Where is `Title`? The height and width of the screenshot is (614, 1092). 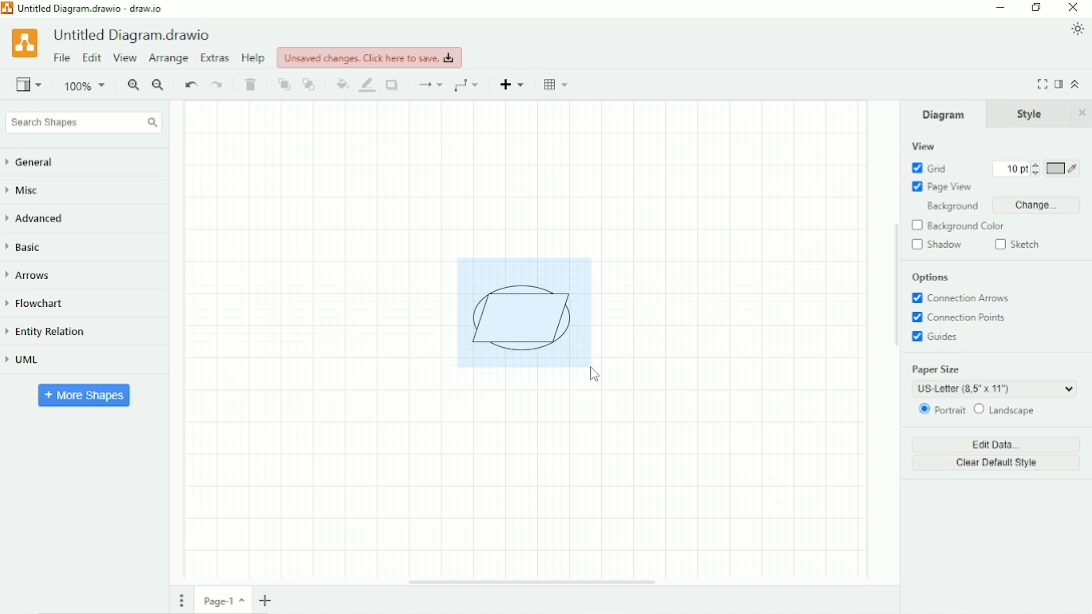 Title is located at coordinates (135, 35).